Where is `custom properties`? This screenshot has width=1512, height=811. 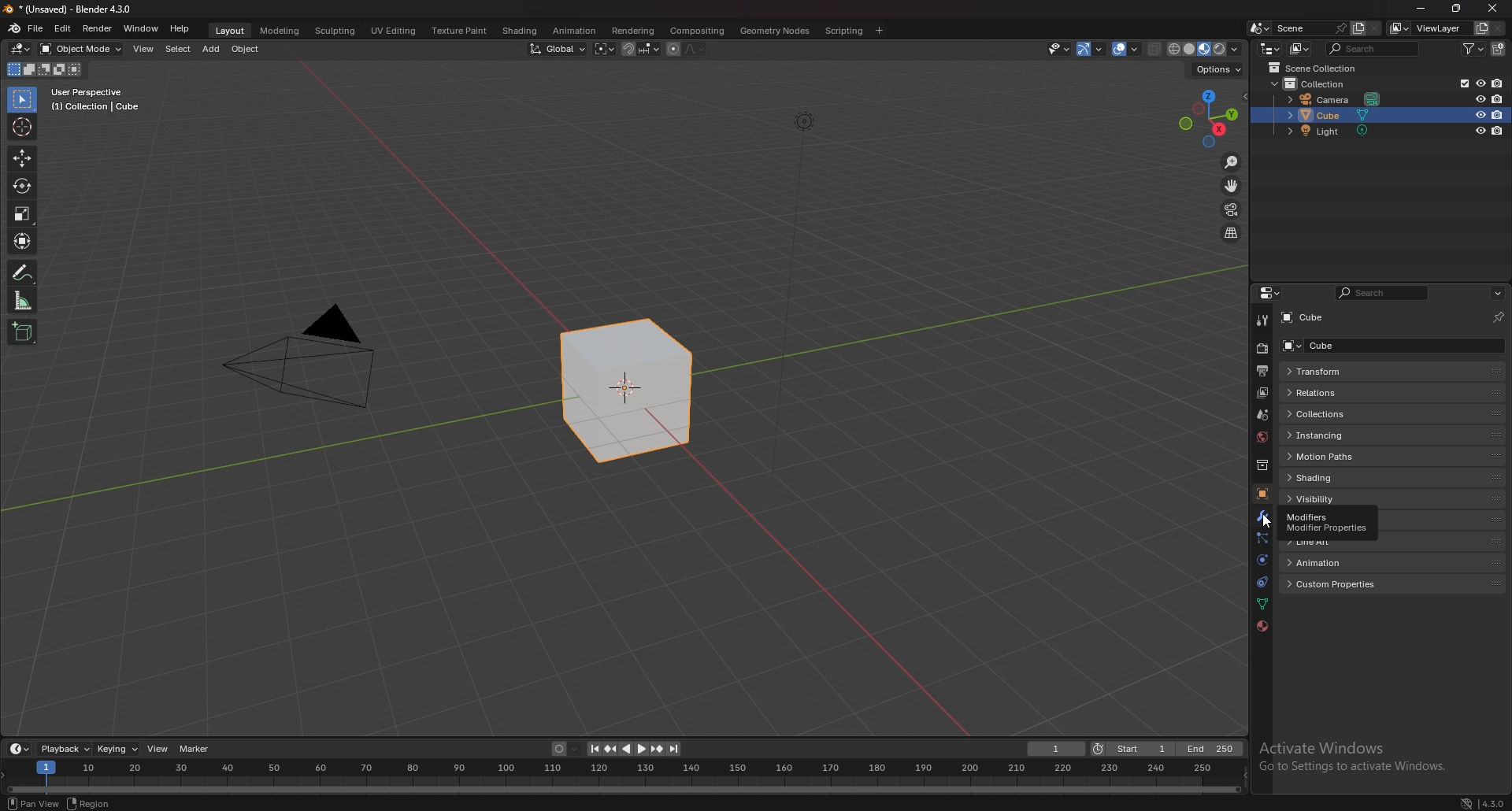
custom properties is located at coordinates (1338, 583).